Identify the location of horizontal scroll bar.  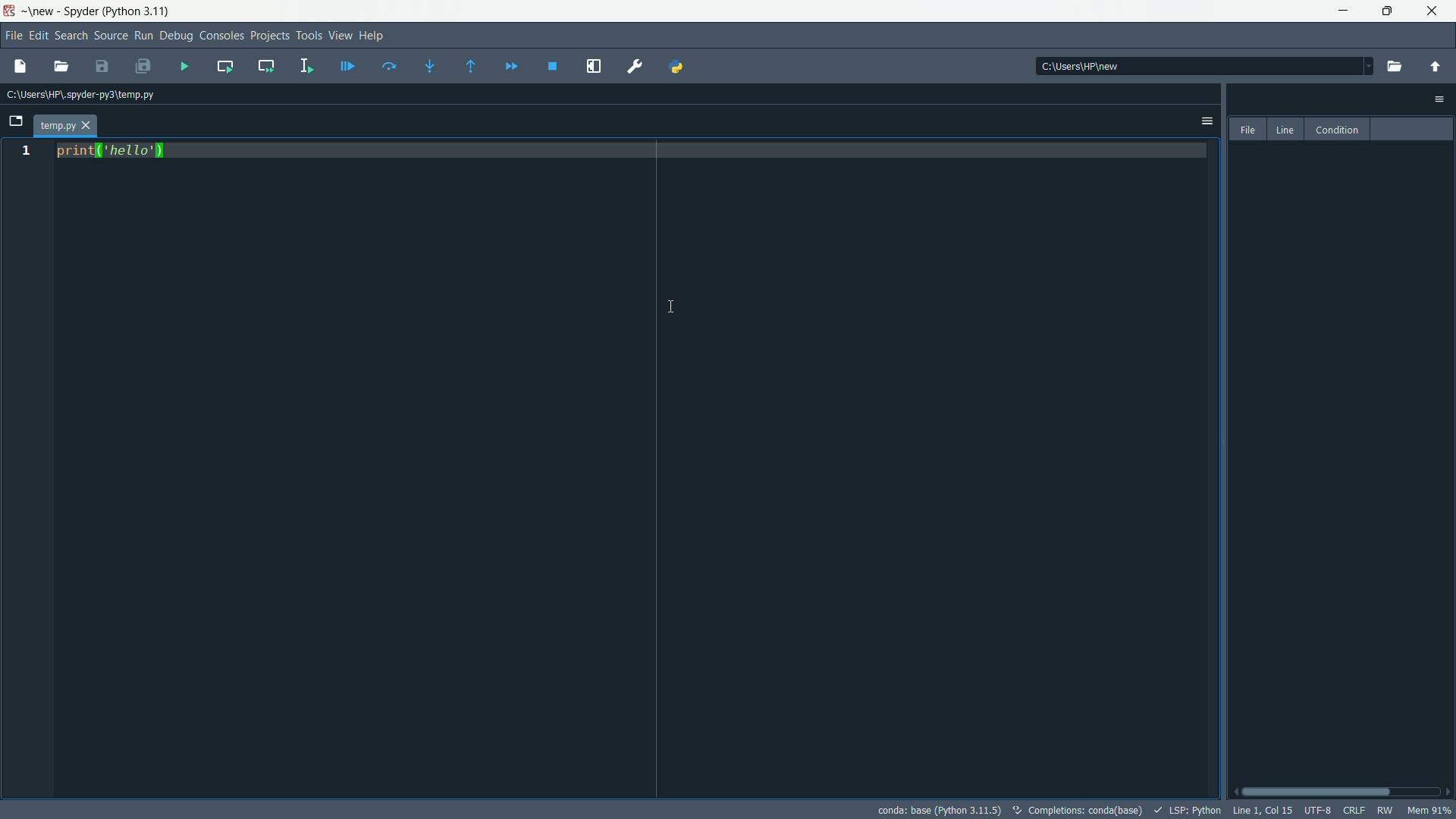
(1341, 790).